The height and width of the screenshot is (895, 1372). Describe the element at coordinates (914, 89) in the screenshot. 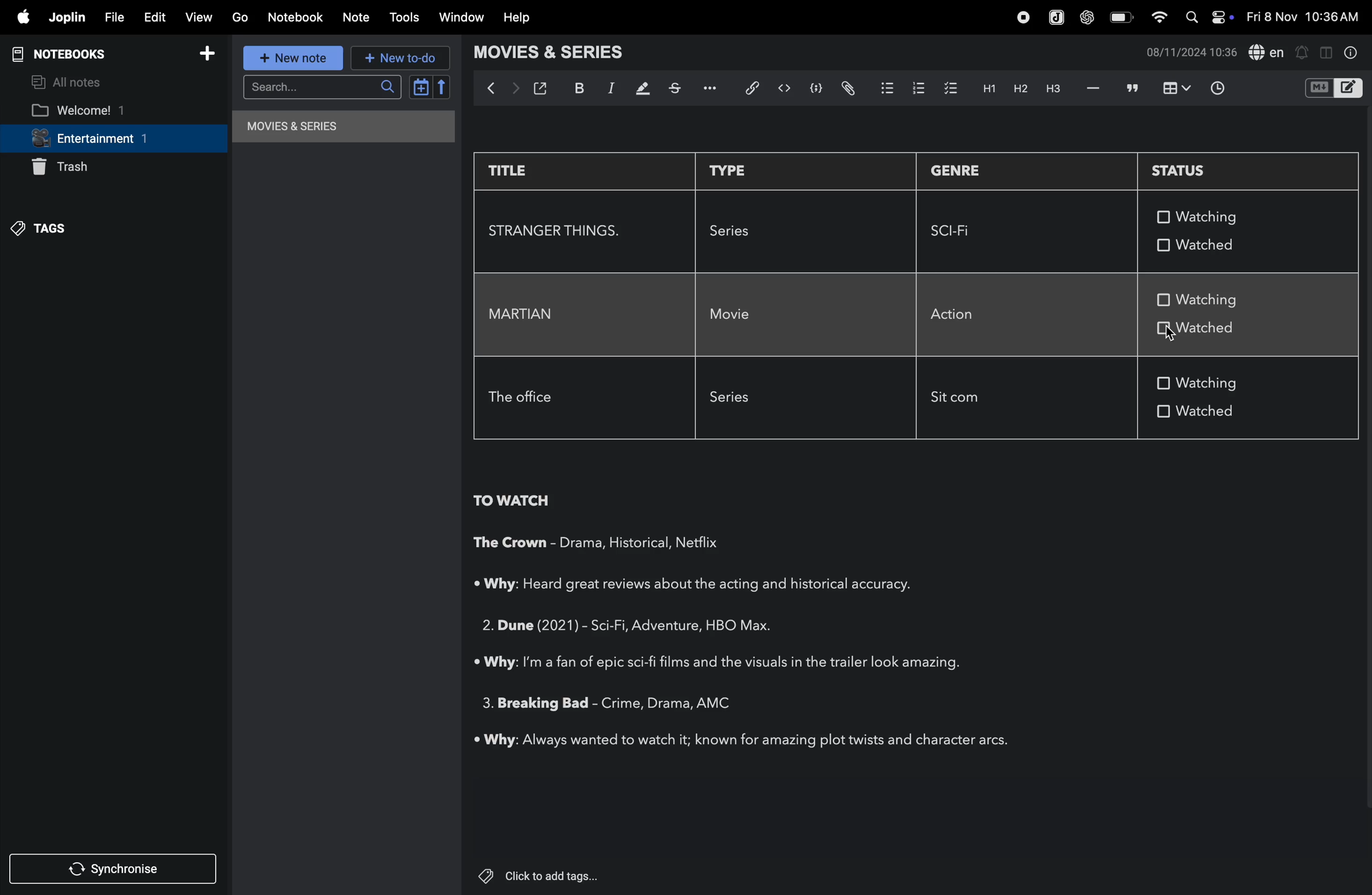

I see `numbered list` at that location.